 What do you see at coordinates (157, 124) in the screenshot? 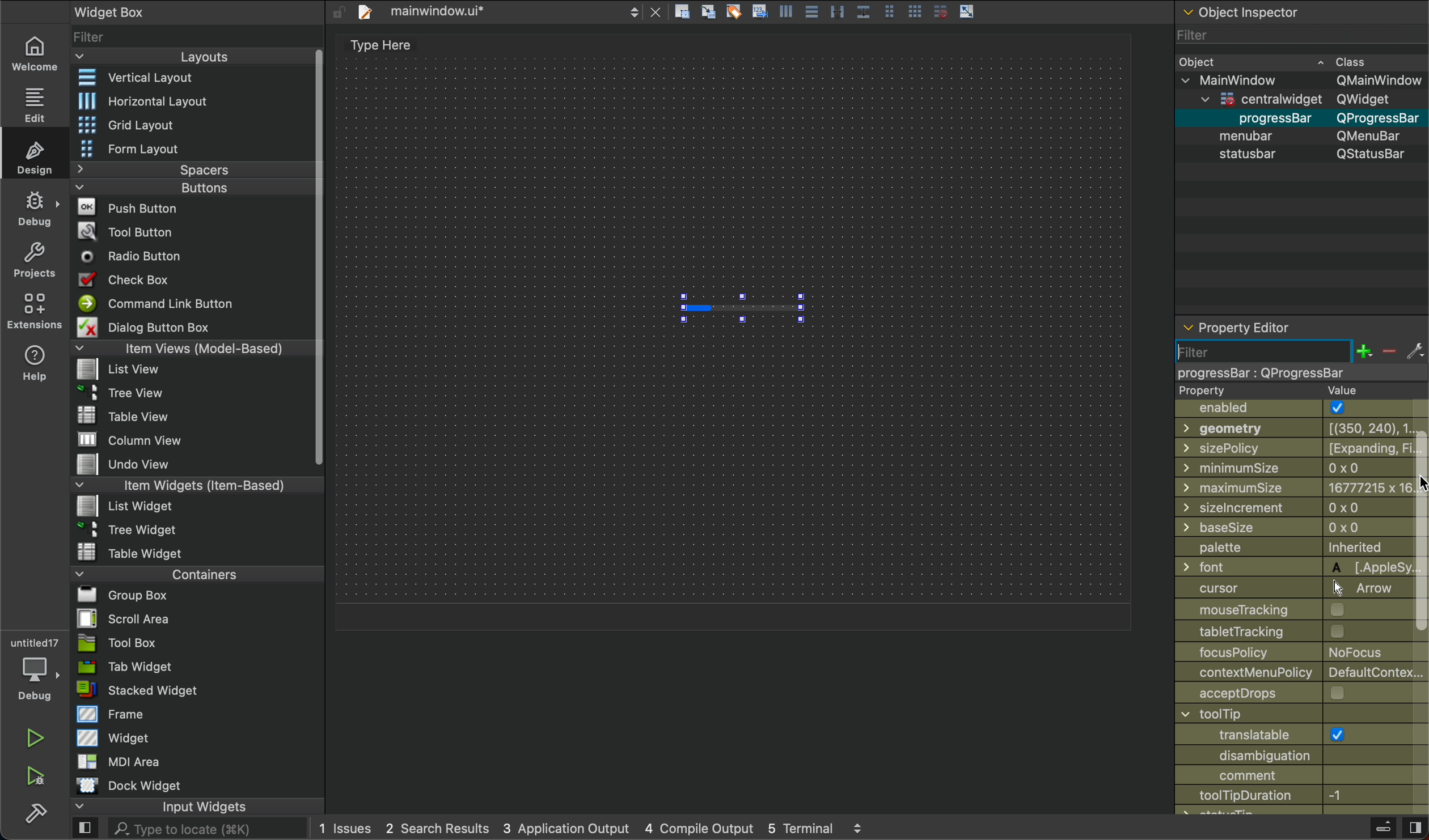
I see `Grid Layout` at bounding box center [157, 124].